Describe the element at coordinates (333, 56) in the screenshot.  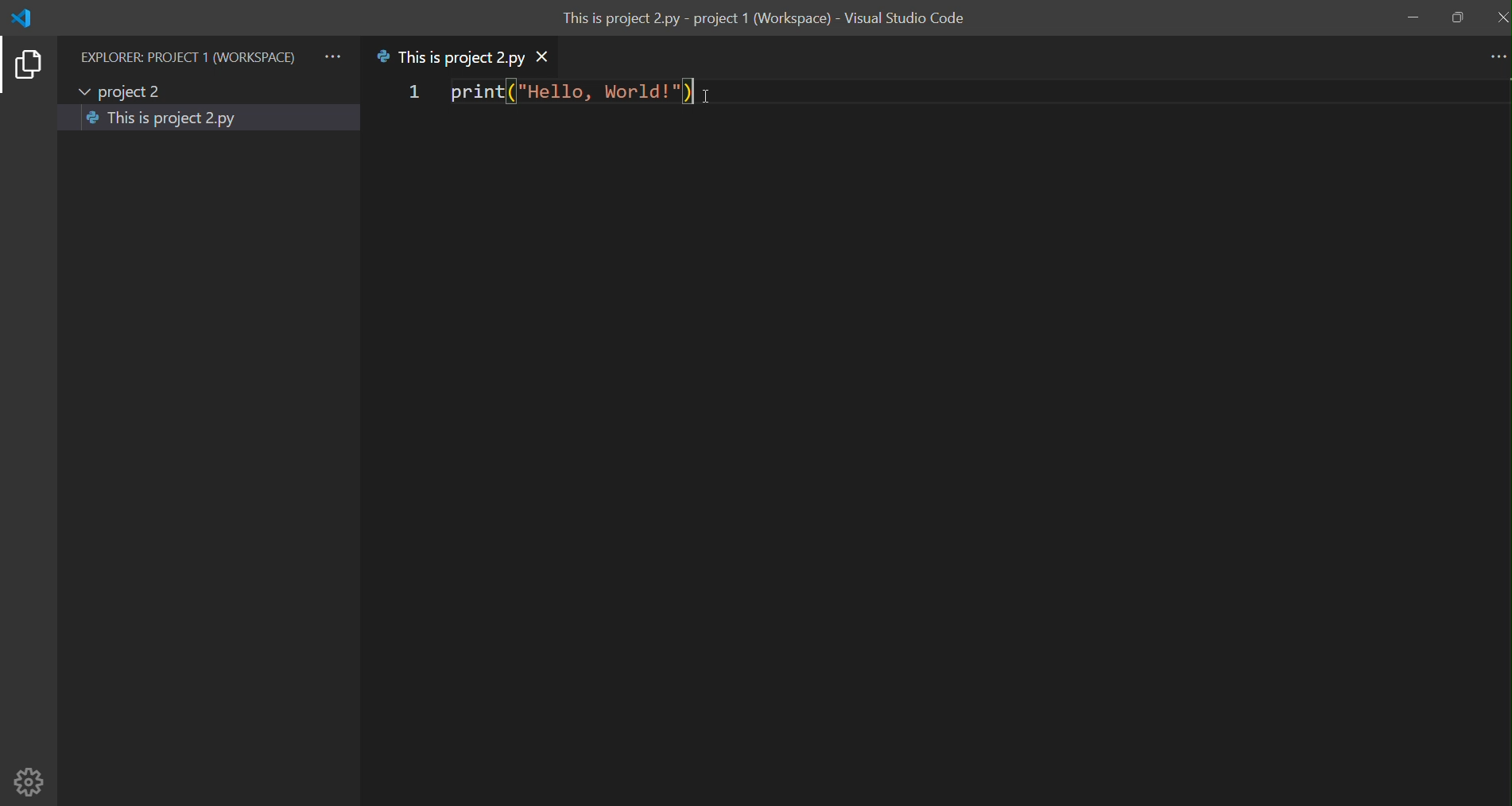
I see `view more actions` at that location.